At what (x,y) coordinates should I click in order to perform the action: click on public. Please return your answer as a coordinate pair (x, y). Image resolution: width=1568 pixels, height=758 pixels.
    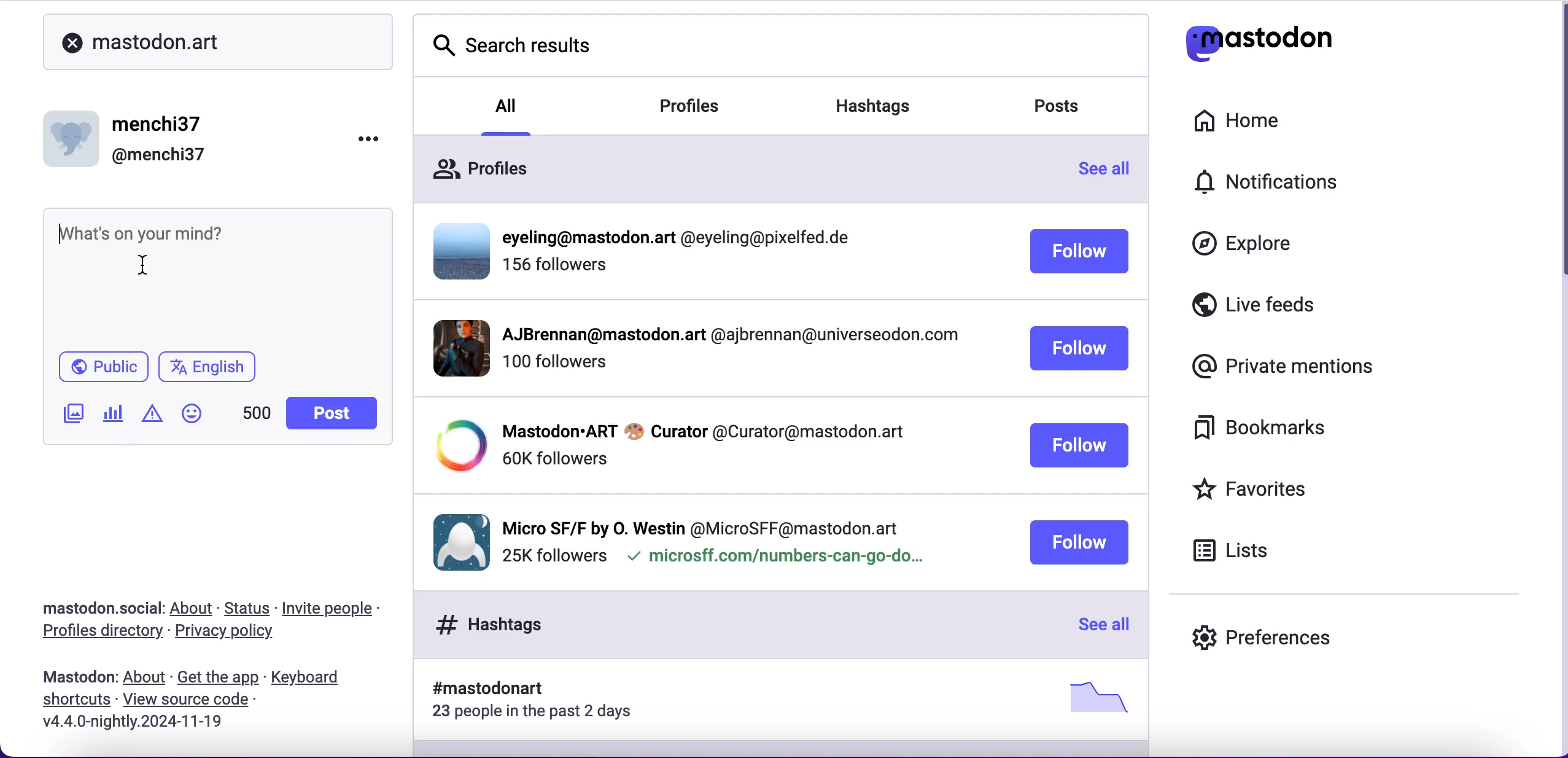
    Looking at the image, I should click on (99, 367).